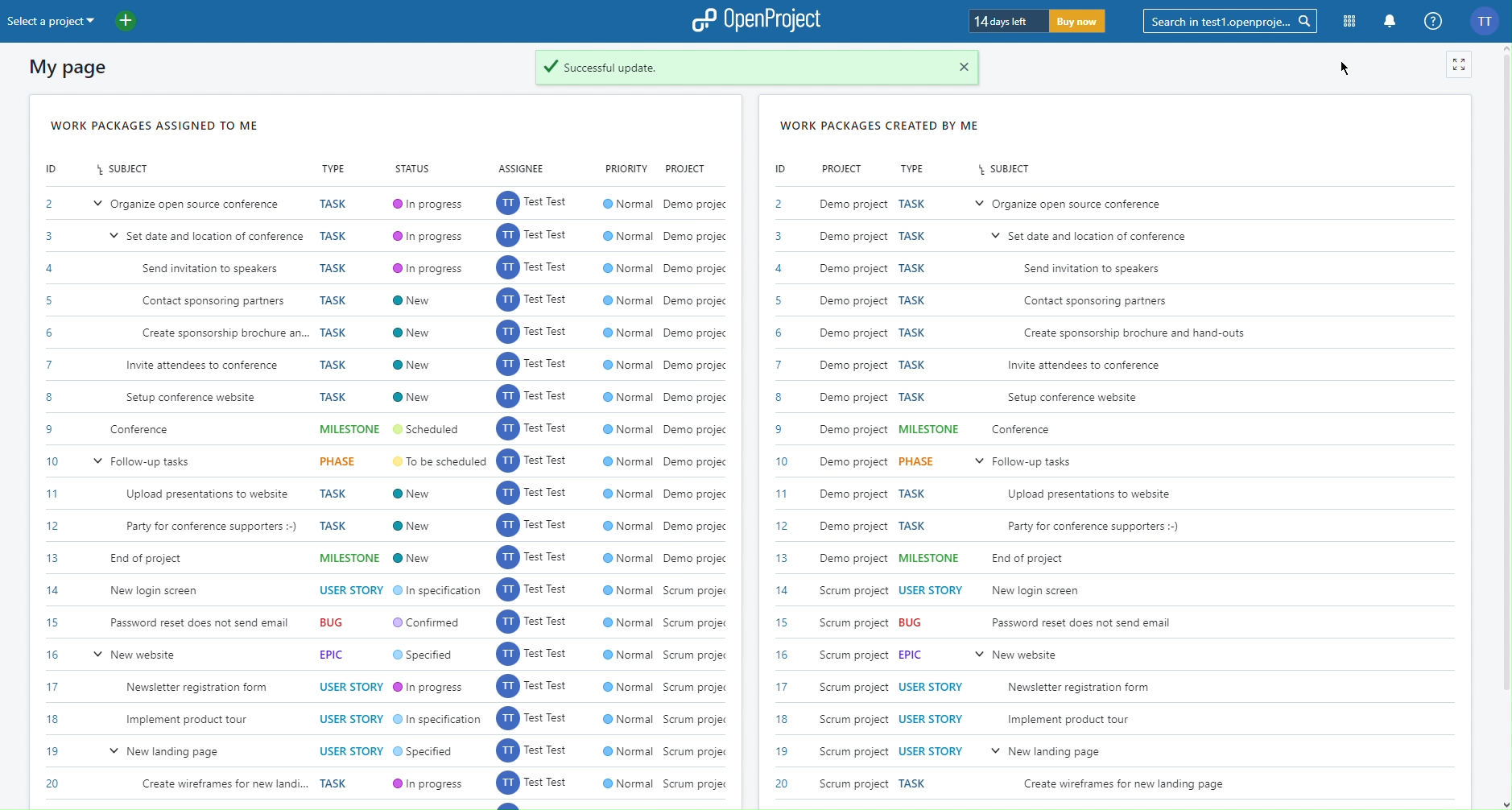  I want to click on Successful update, so click(759, 68).